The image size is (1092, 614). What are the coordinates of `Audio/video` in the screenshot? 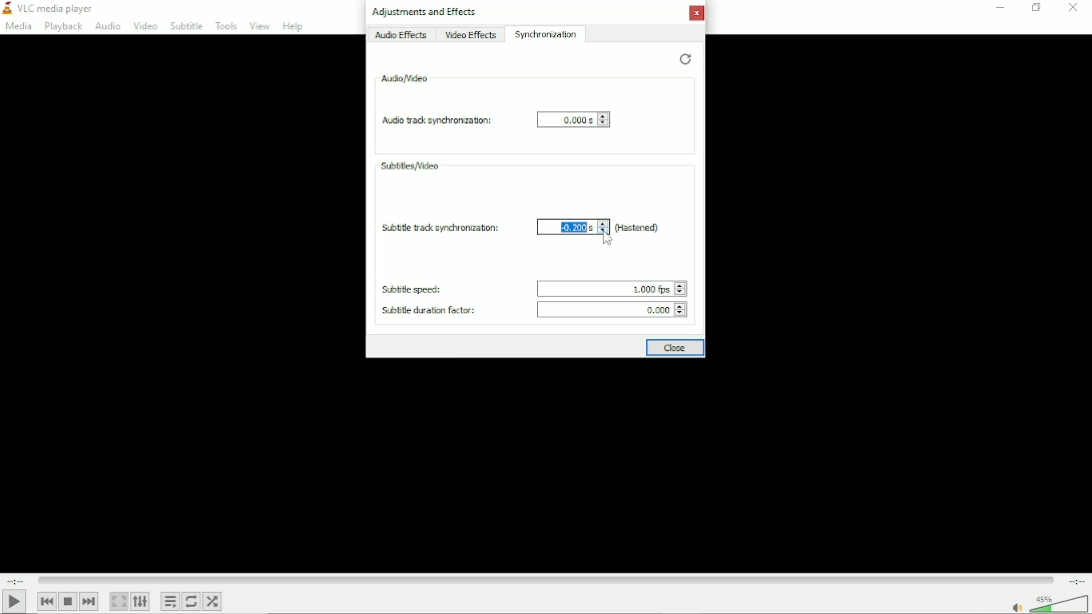 It's located at (405, 78).